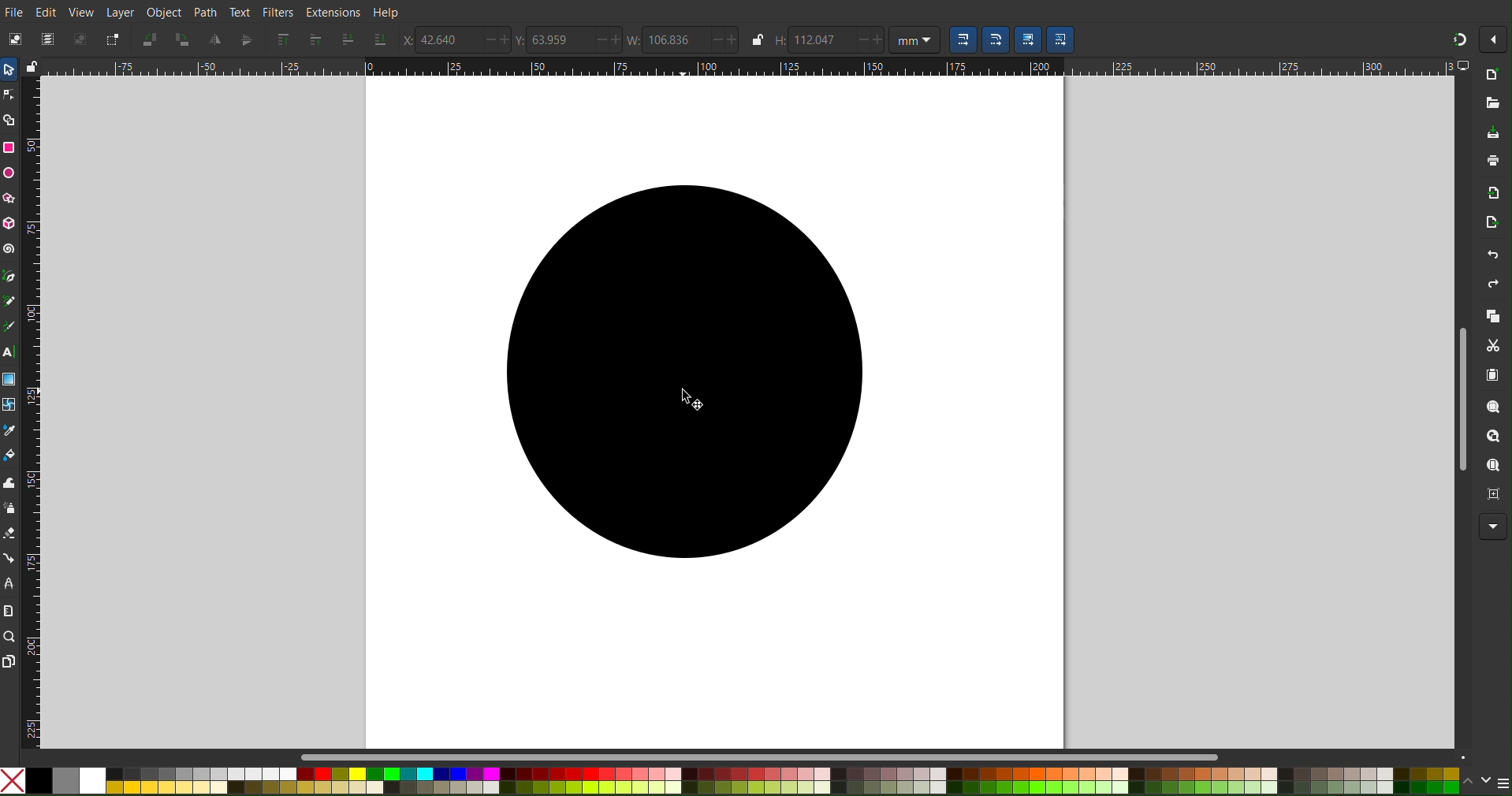 The height and width of the screenshot is (796, 1512). I want to click on More Options, so click(1492, 527).